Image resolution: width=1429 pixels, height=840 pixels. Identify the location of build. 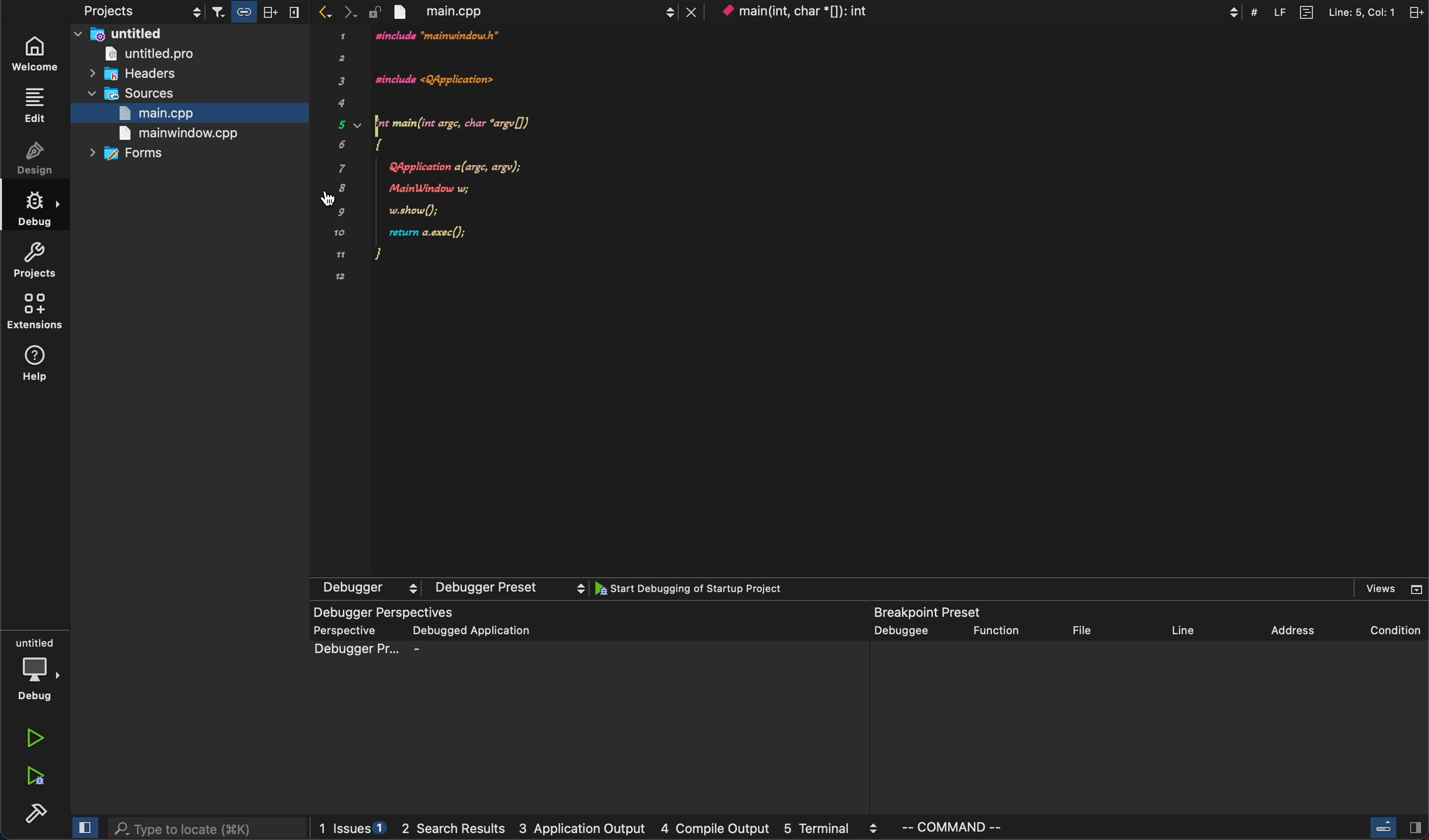
(30, 811).